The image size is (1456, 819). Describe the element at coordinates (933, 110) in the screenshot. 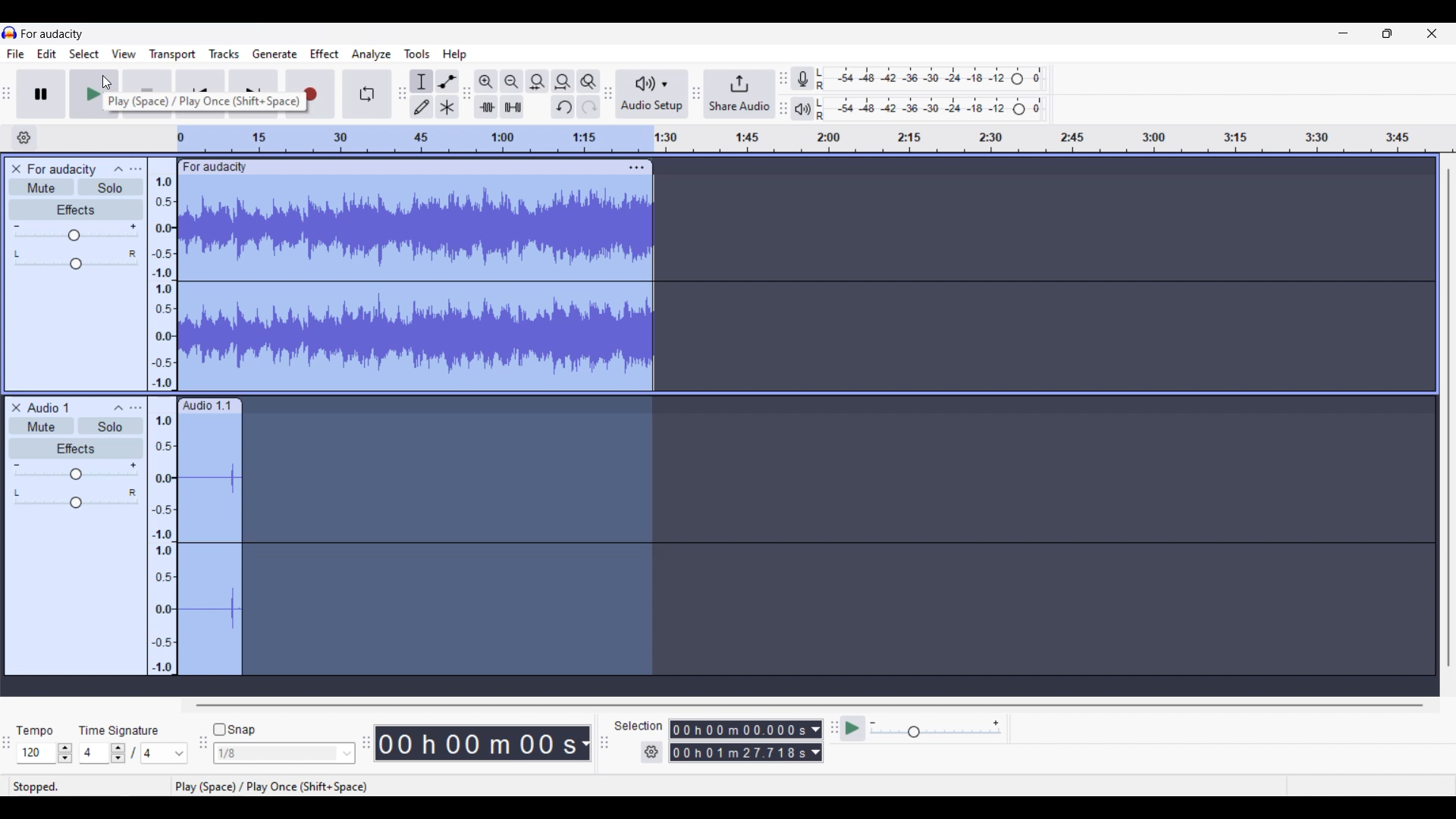

I see `Playback level` at that location.